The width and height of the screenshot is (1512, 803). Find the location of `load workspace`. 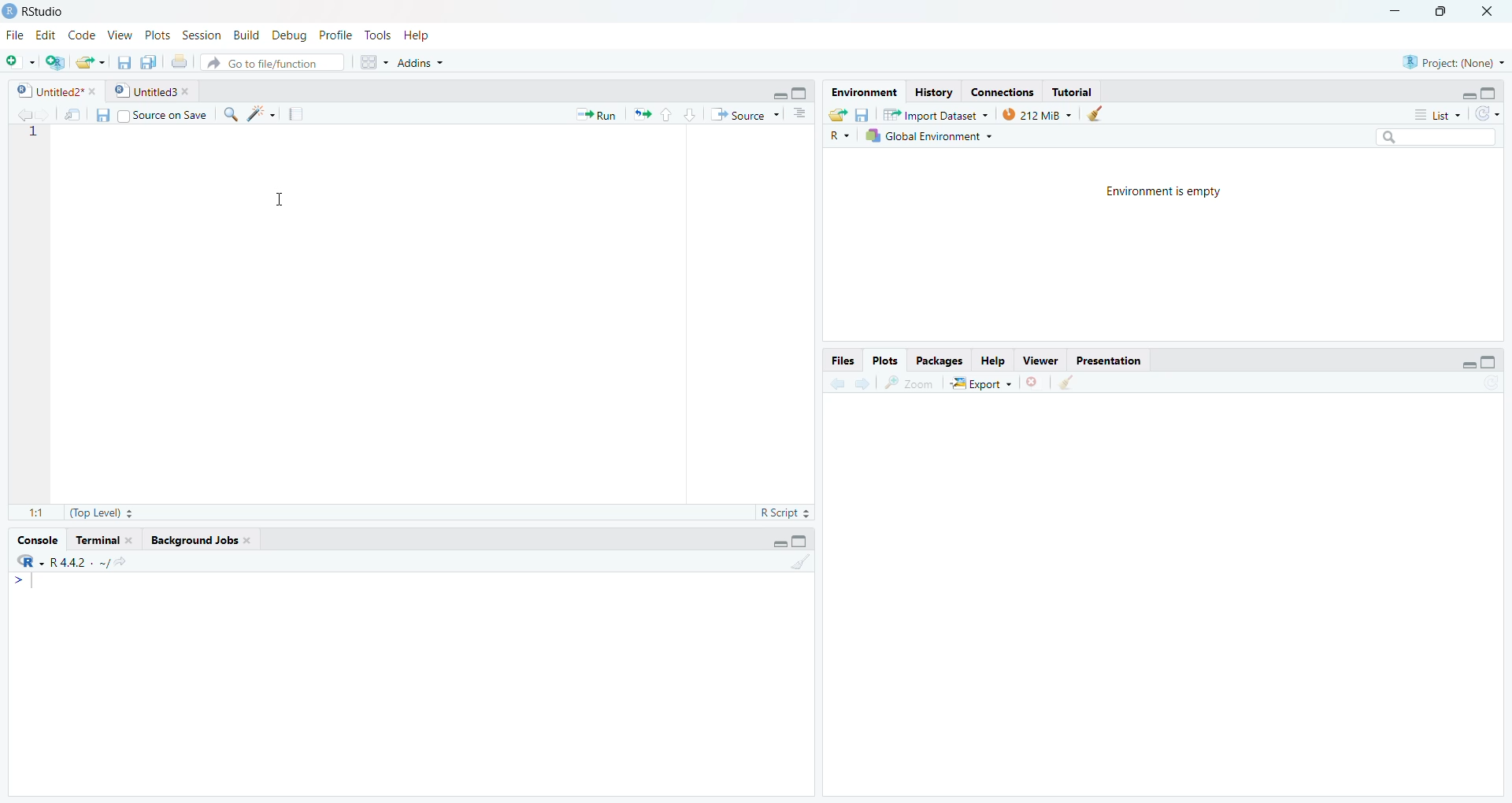

load workspace is located at coordinates (838, 115).